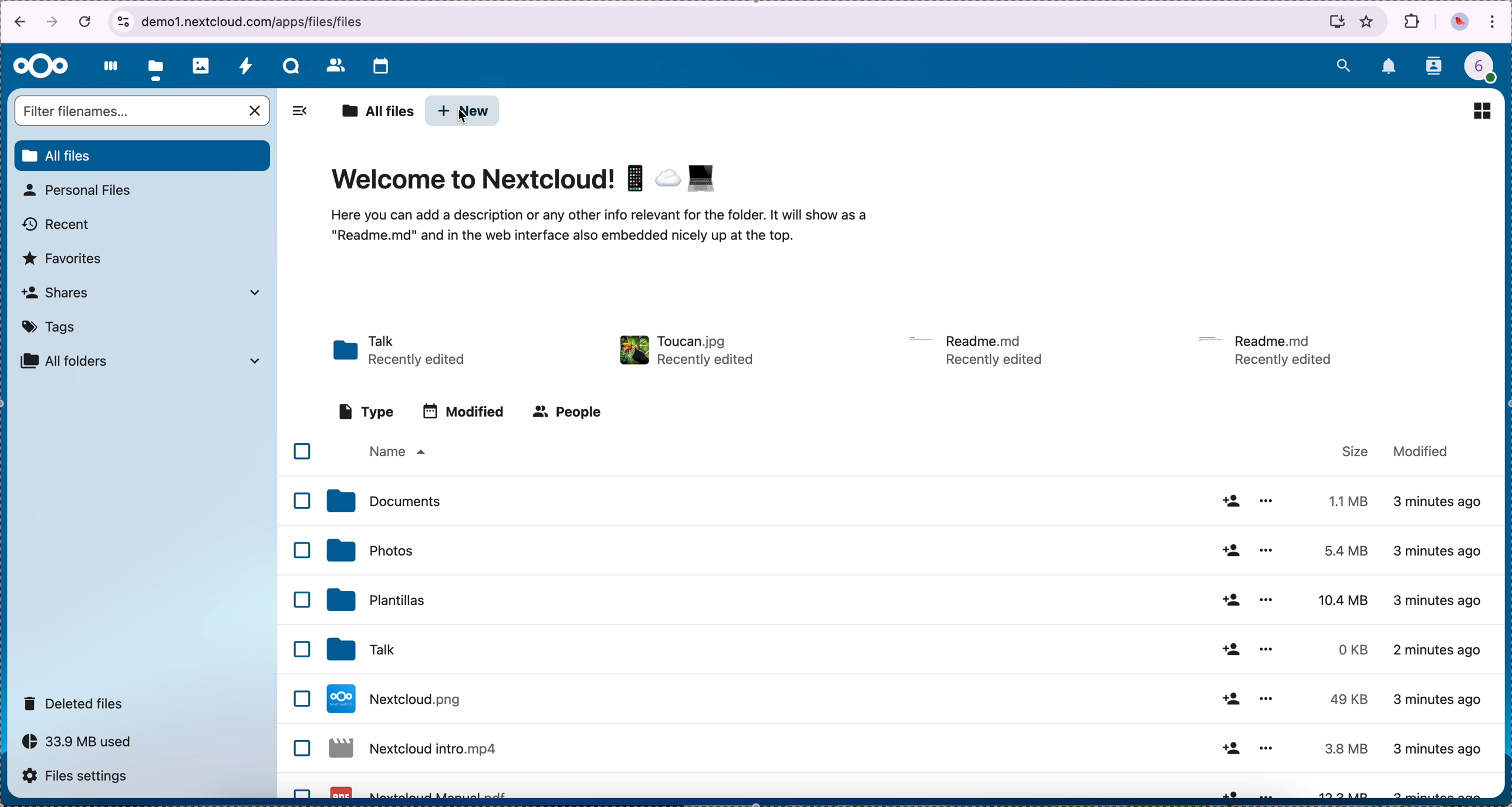  What do you see at coordinates (1337, 24) in the screenshot?
I see `install Nextcloud` at bounding box center [1337, 24].